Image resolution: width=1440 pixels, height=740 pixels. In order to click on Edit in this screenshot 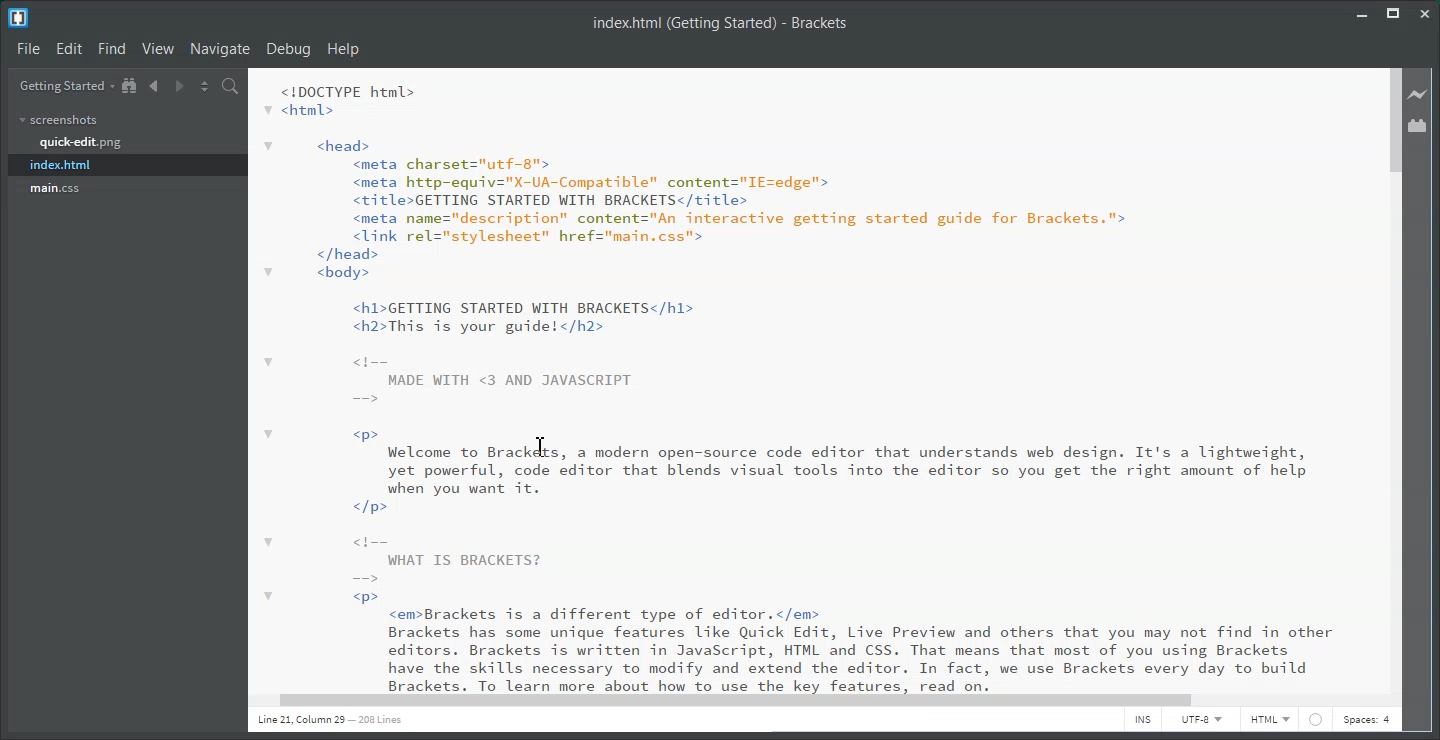, I will do `click(69, 49)`.